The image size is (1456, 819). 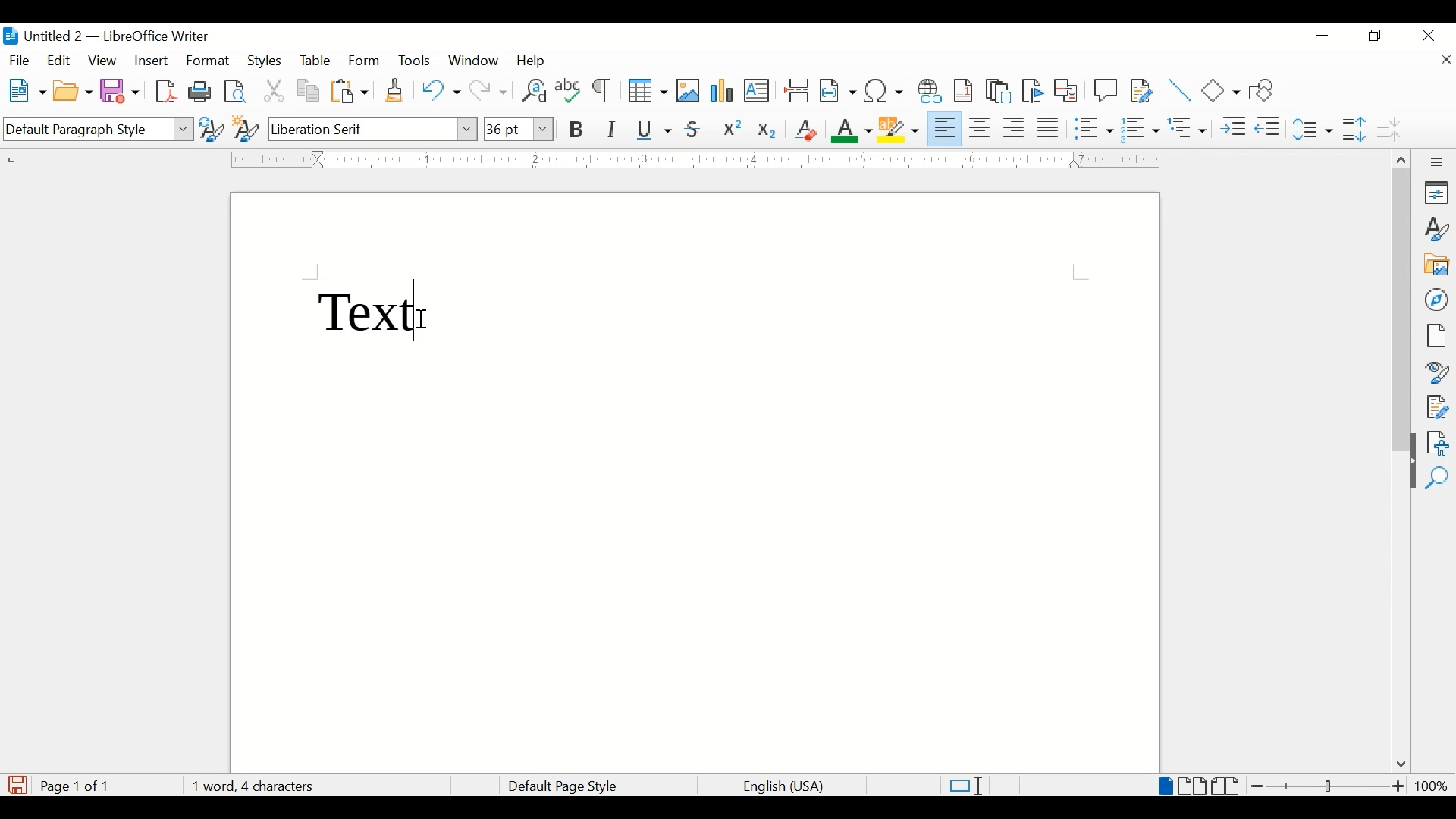 I want to click on insert cross-reference, so click(x=1066, y=89).